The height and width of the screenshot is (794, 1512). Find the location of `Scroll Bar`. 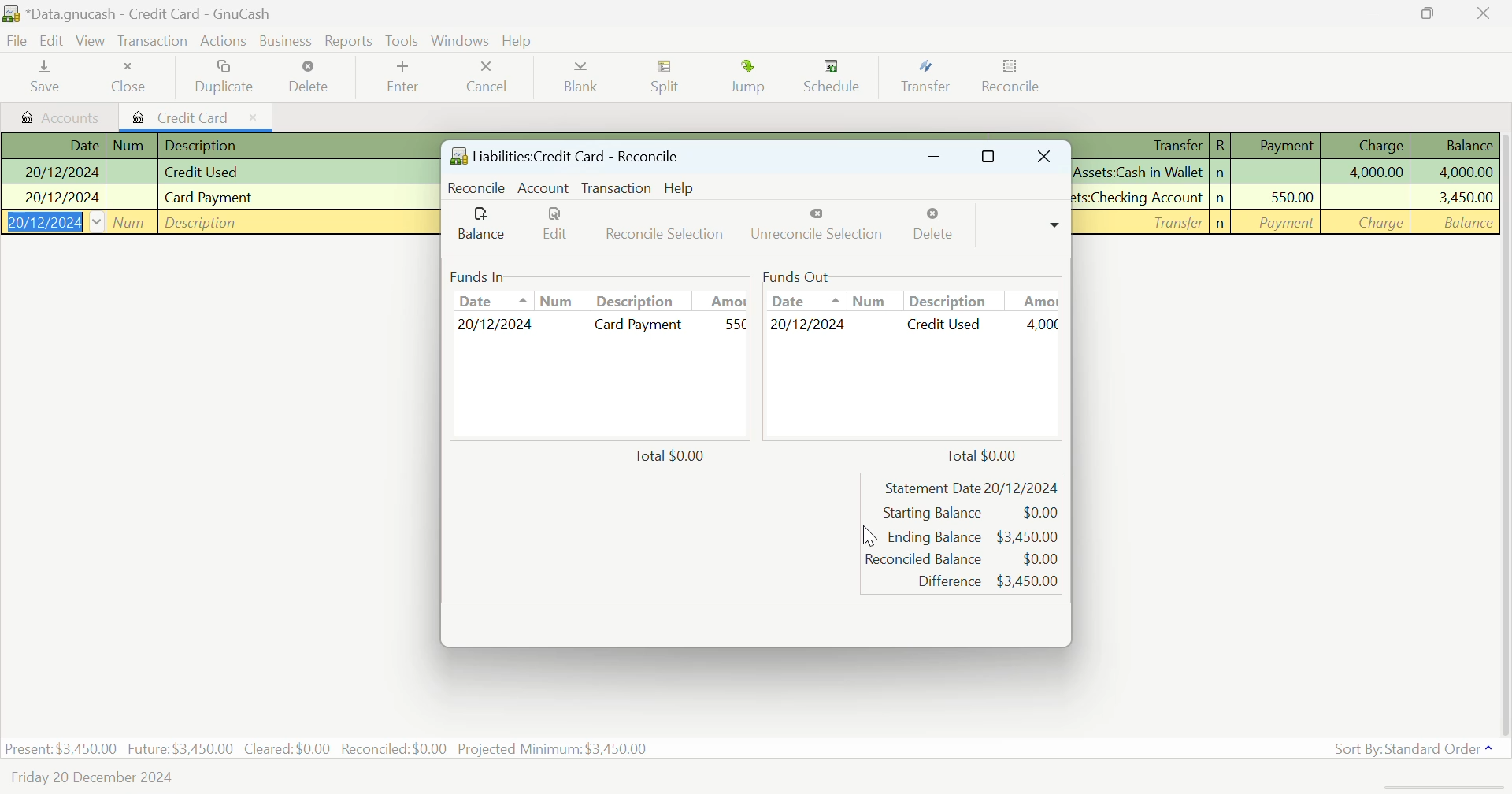

Scroll Bar is located at coordinates (1503, 430).